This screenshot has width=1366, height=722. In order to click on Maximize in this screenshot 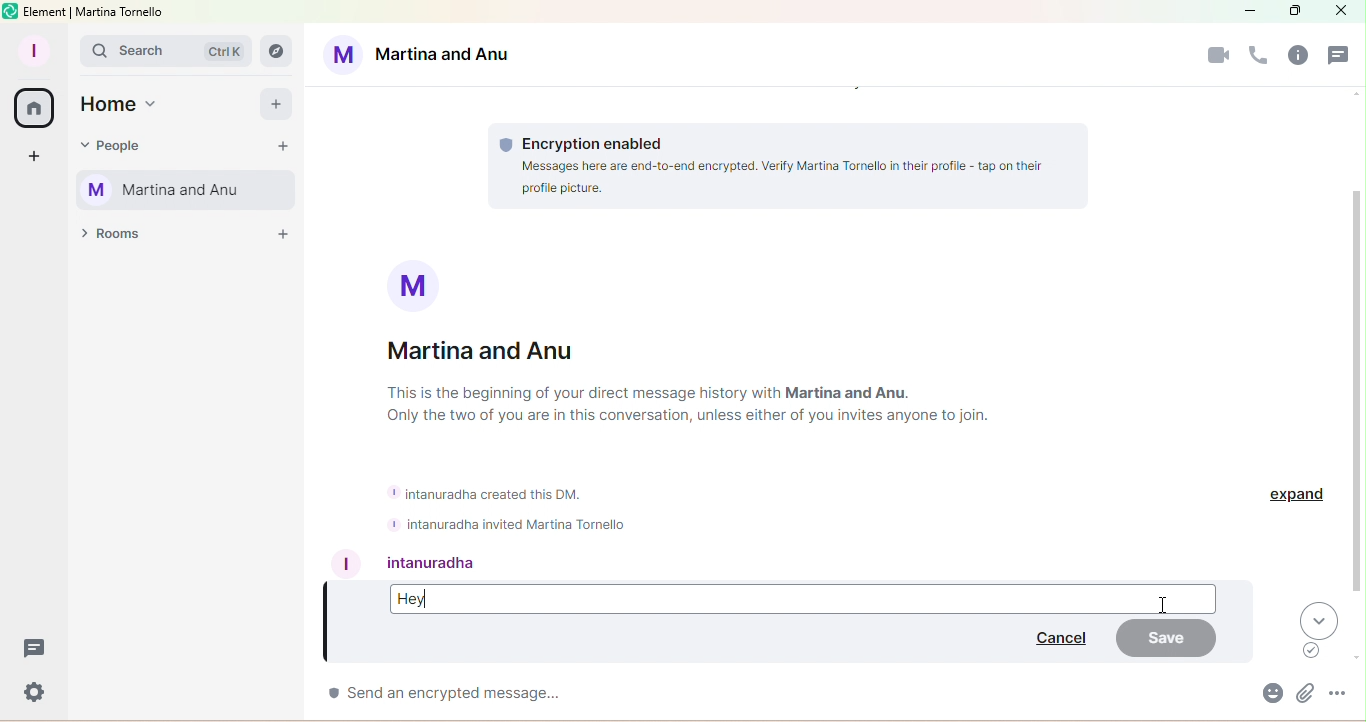, I will do `click(1290, 13)`.